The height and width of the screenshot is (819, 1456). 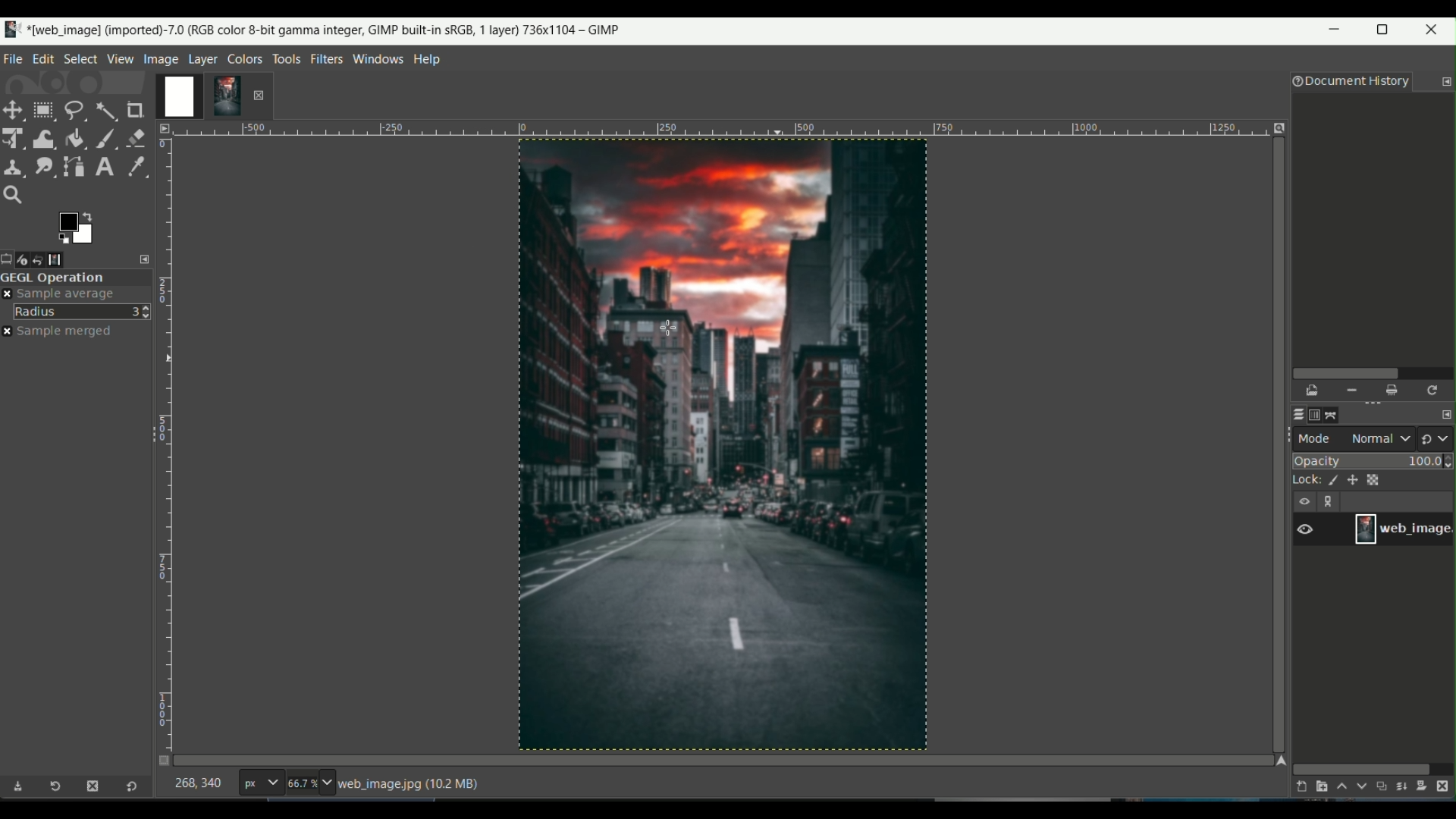 What do you see at coordinates (80, 58) in the screenshot?
I see `select tab` at bounding box center [80, 58].